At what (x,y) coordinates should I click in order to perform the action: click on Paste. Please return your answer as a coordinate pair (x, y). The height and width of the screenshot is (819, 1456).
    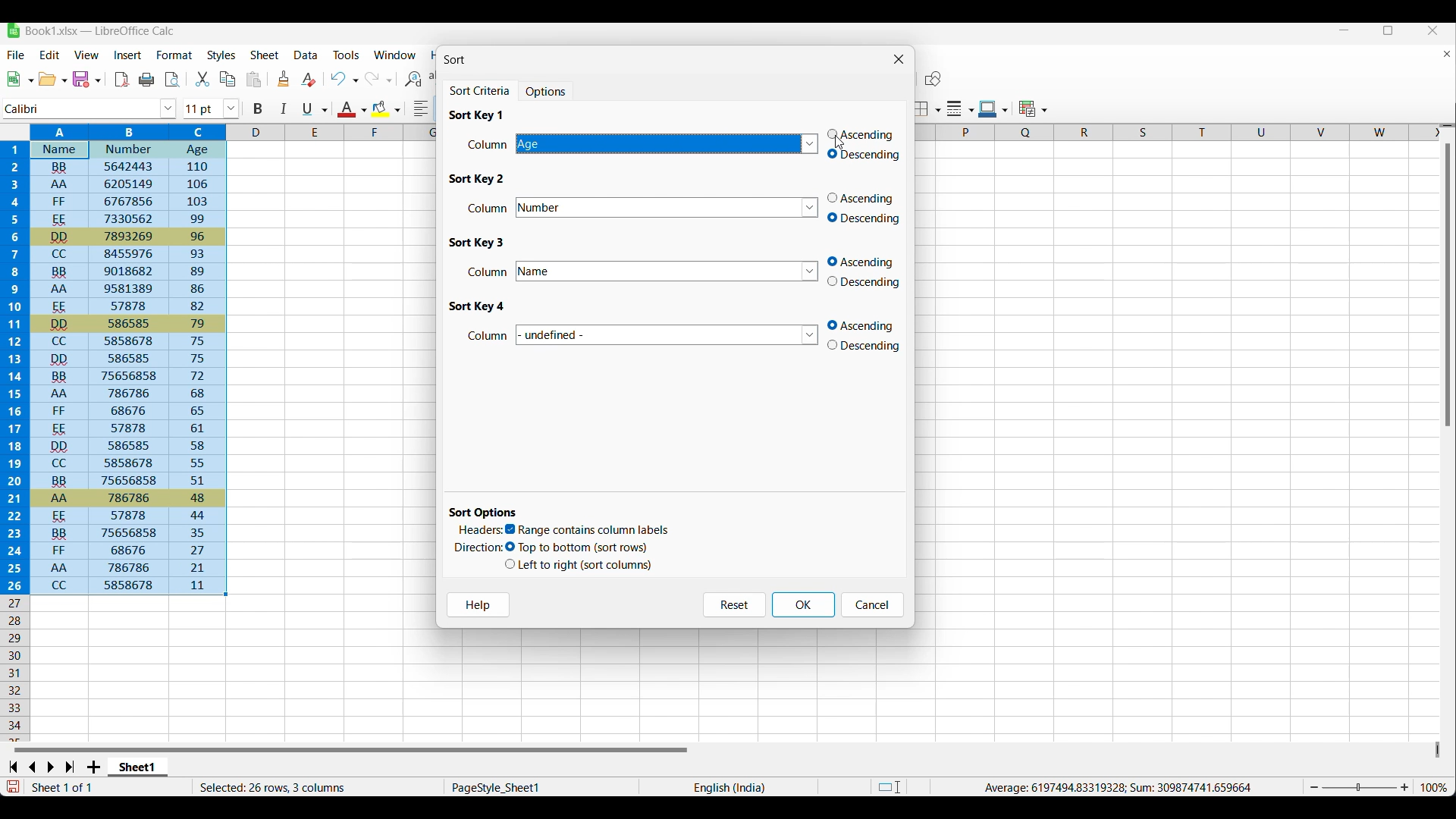
    Looking at the image, I should click on (254, 79).